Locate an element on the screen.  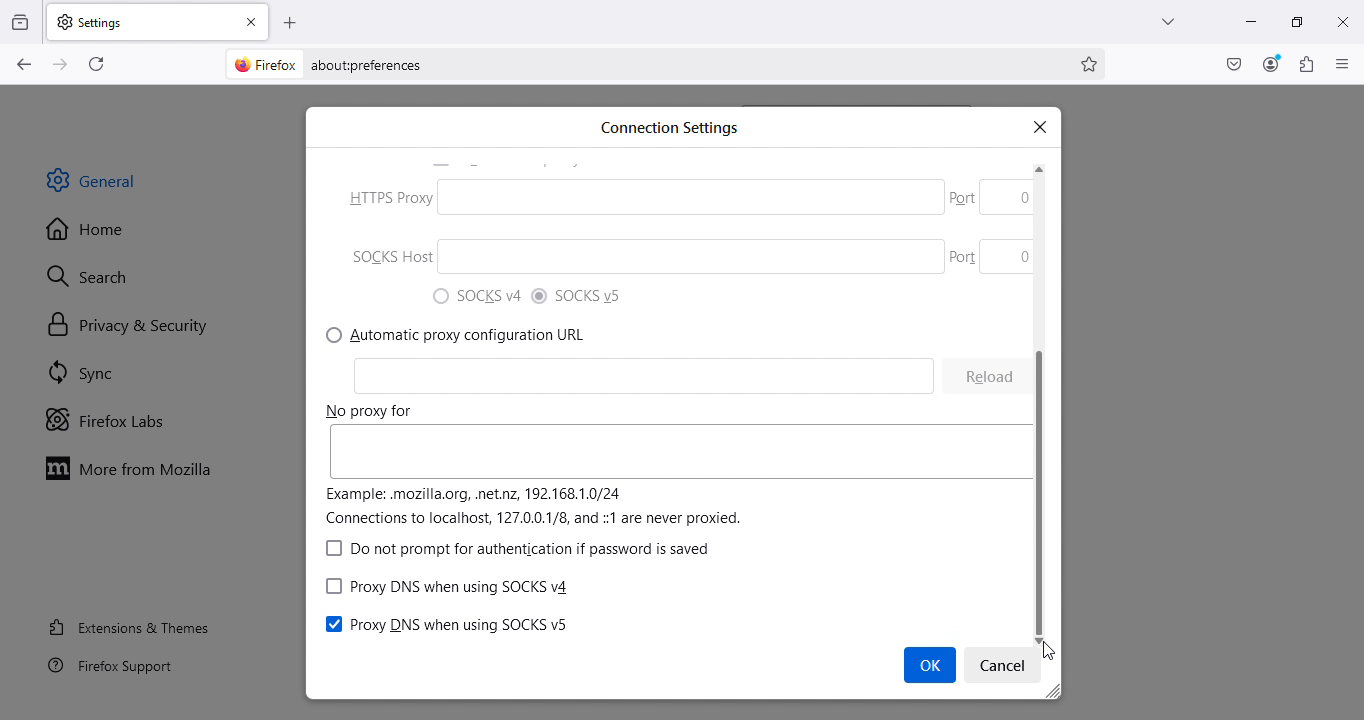
x |close is located at coordinates (1043, 126).